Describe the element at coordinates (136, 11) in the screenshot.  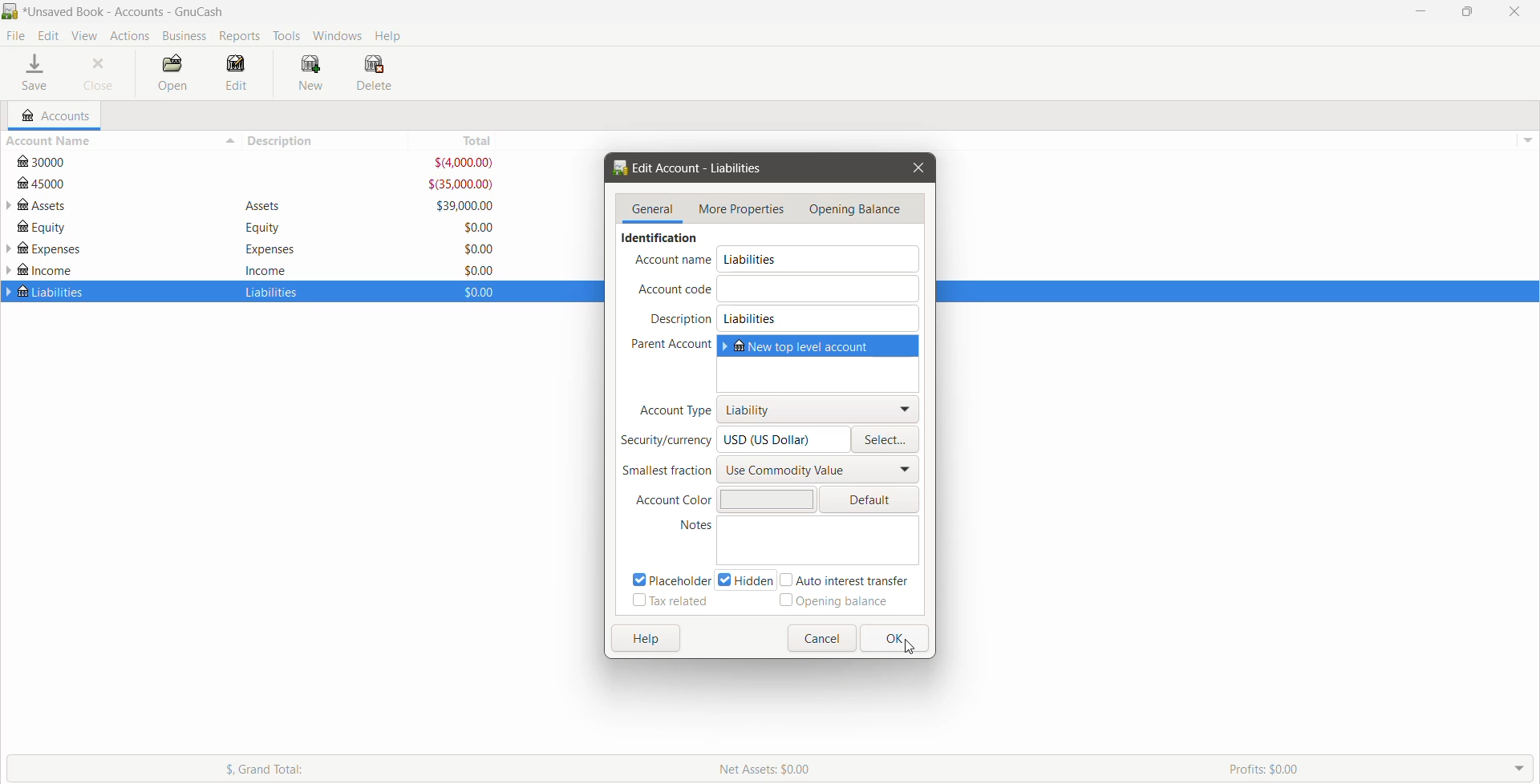
I see `Current Book Name - Accounts - Application Name` at that location.